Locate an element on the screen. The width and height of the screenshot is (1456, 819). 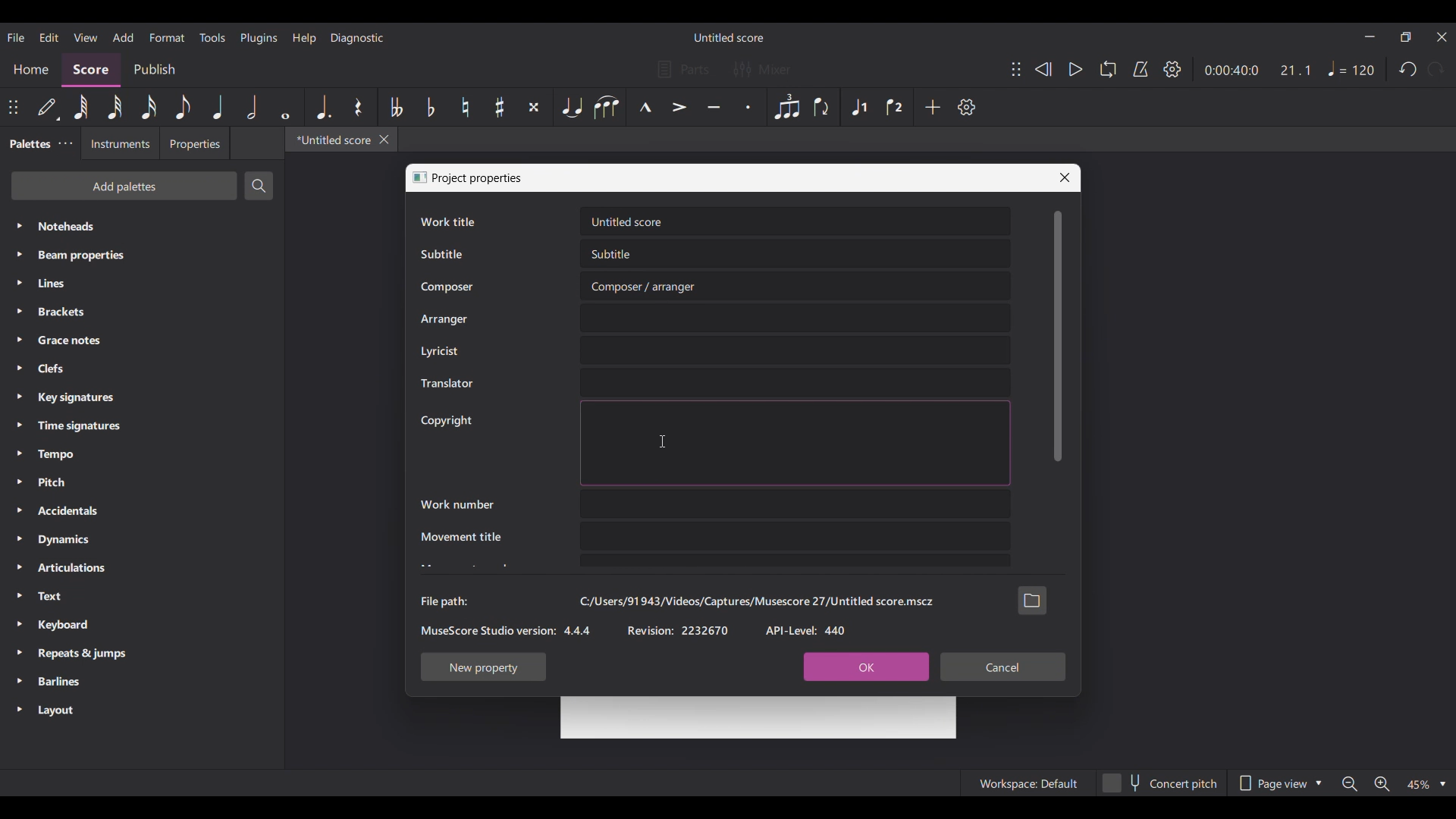
Text box for Copyright is located at coordinates (795, 443).